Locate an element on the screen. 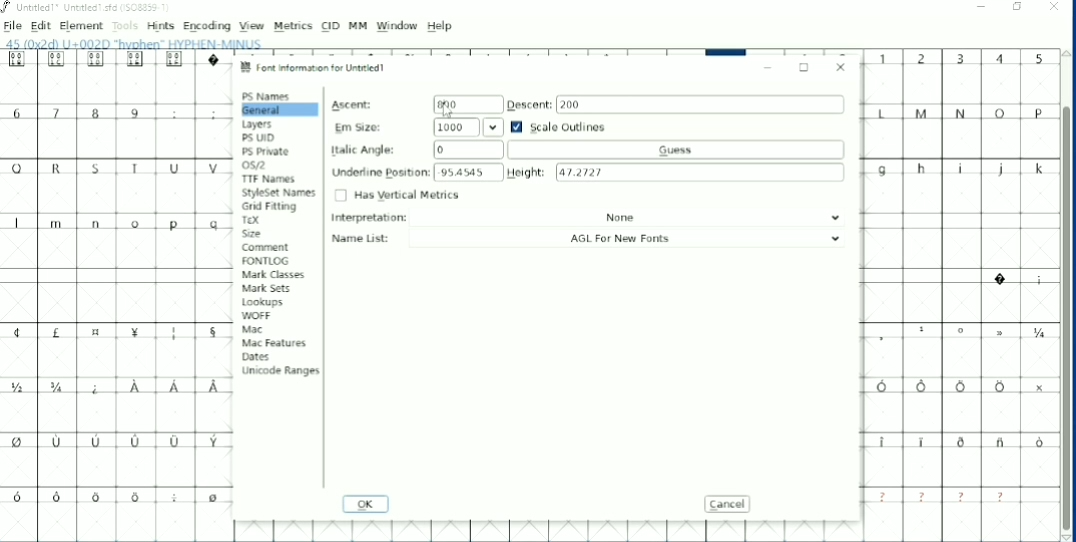 The height and width of the screenshot is (542, 1076). FONTLOG is located at coordinates (266, 261).